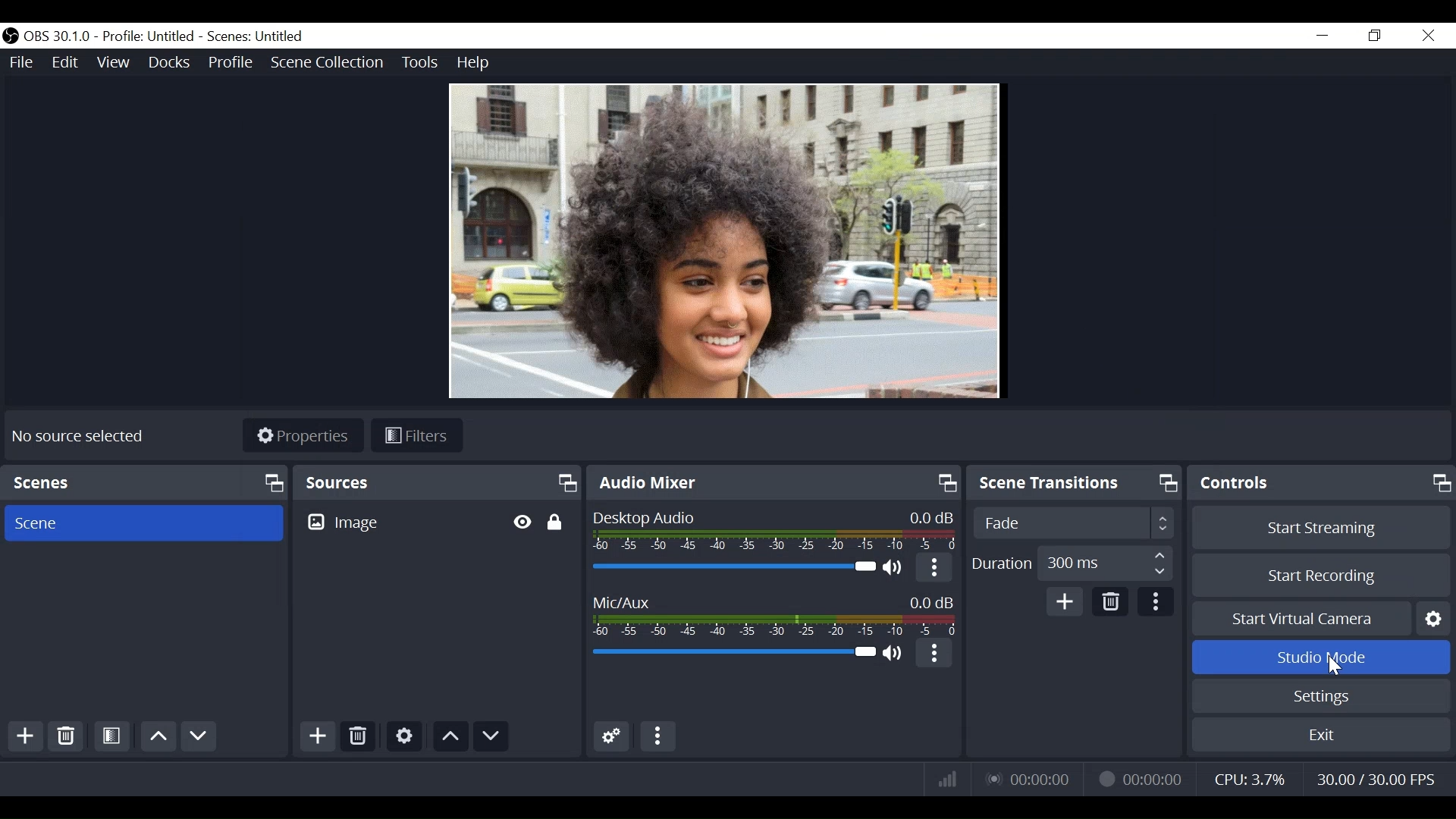 This screenshot has height=819, width=1456. Describe the element at coordinates (733, 651) in the screenshot. I see `Mic/Aux` at that location.